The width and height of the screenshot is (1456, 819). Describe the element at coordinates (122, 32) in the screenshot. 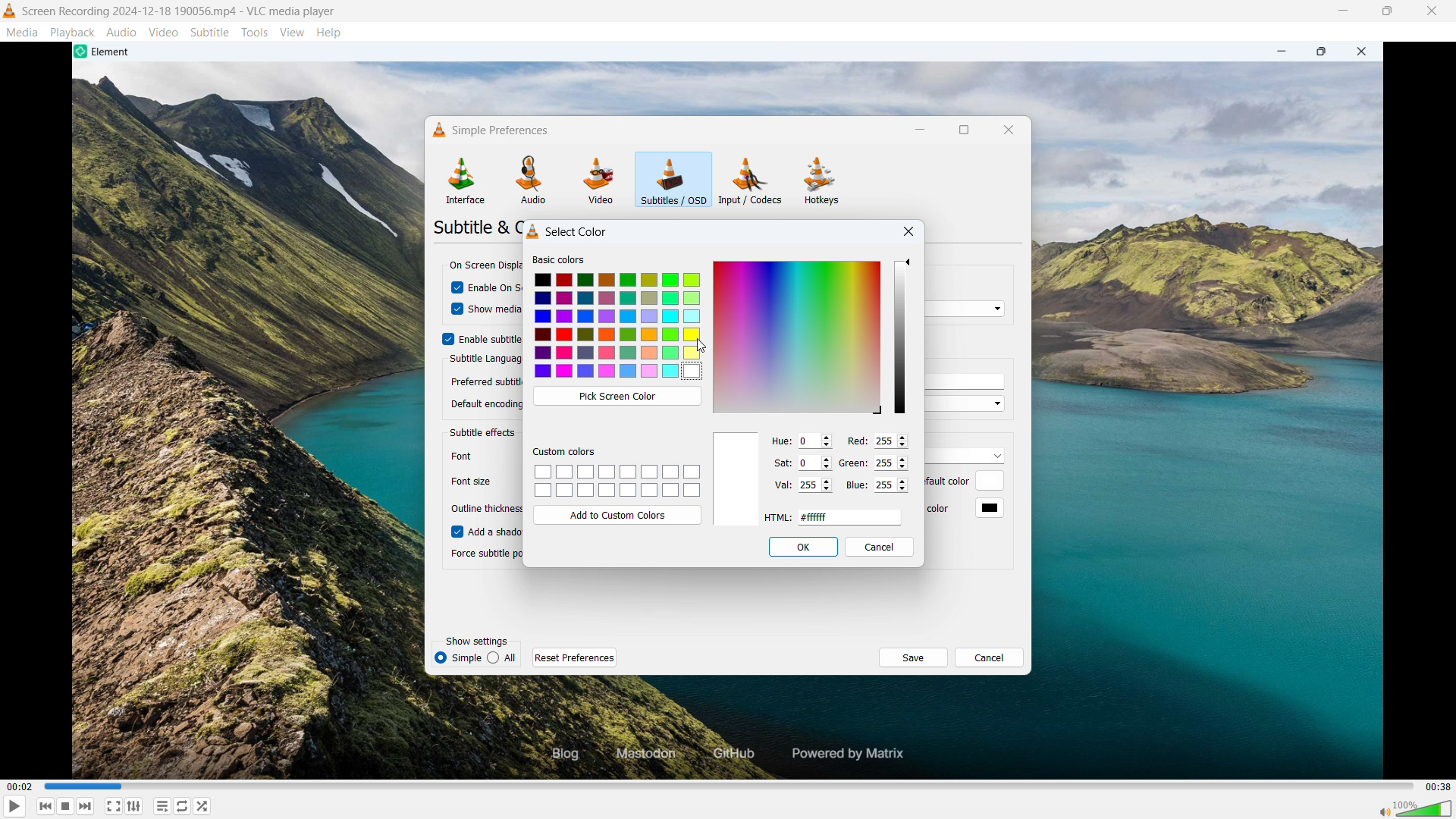

I see `Audio ` at that location.